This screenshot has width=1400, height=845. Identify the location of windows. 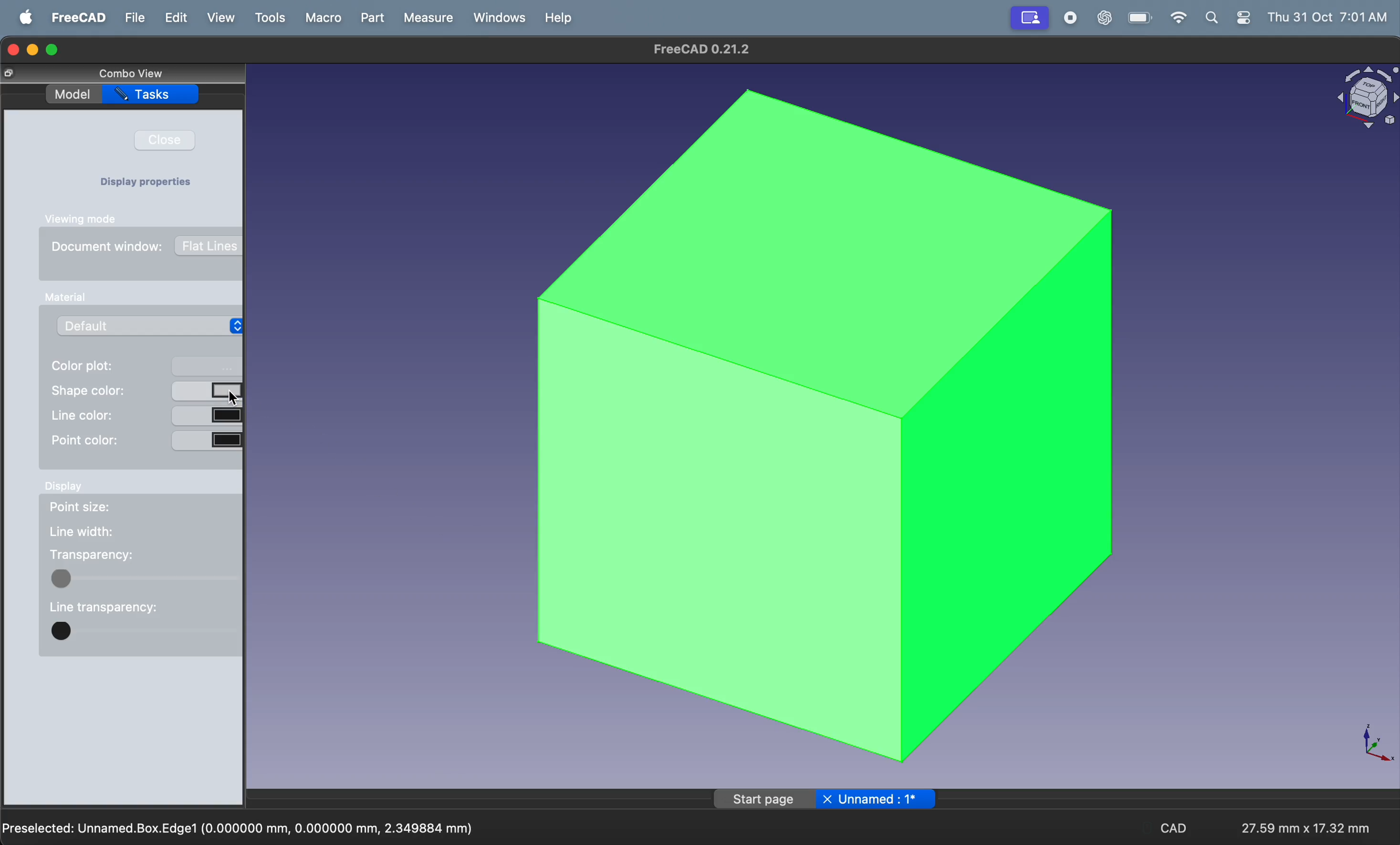
(498, 18).